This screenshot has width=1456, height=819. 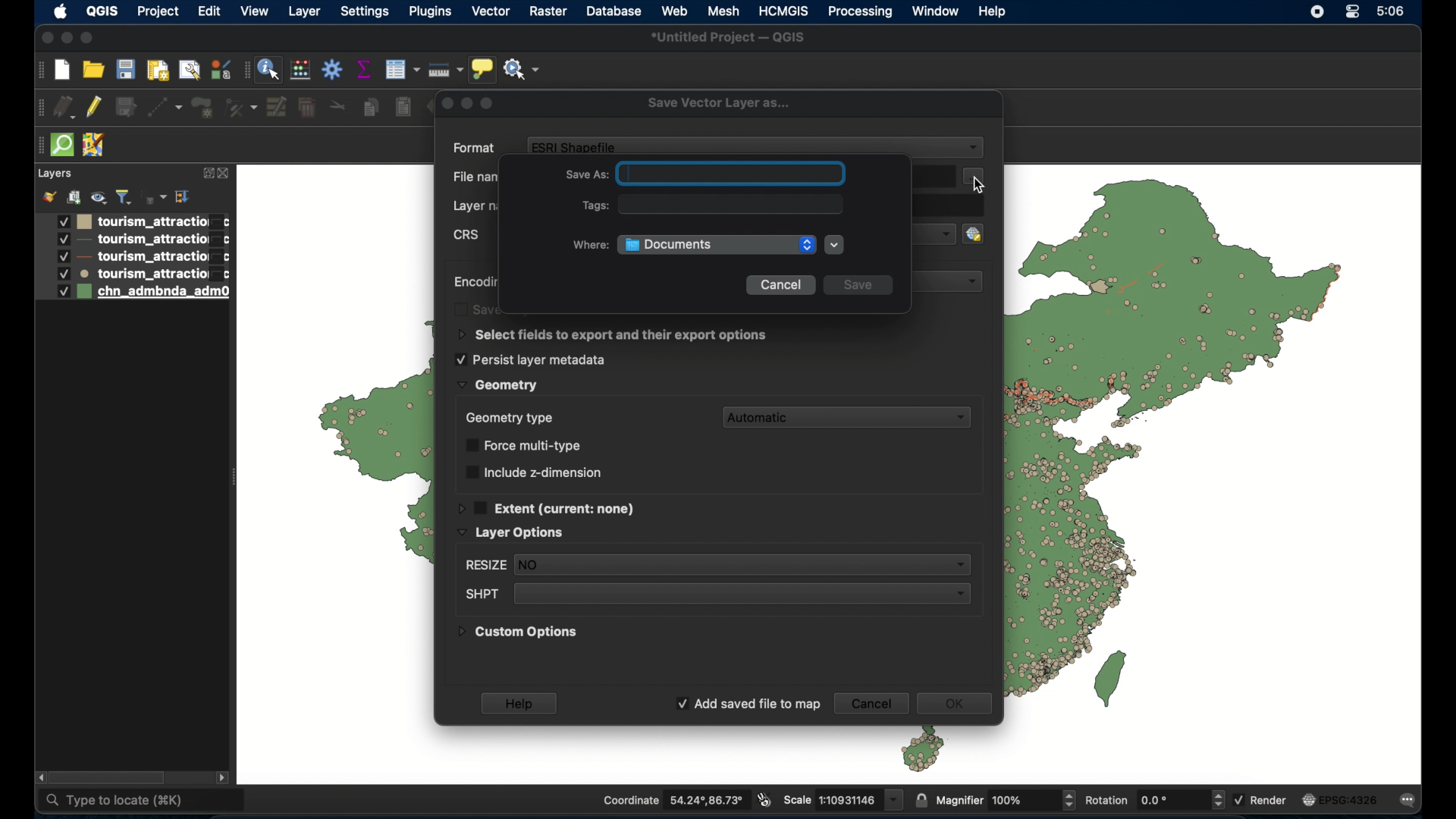 What do you see at coordinates (209, 13) in the screenshot?
I see `edit` at bounding box center [209, 13].